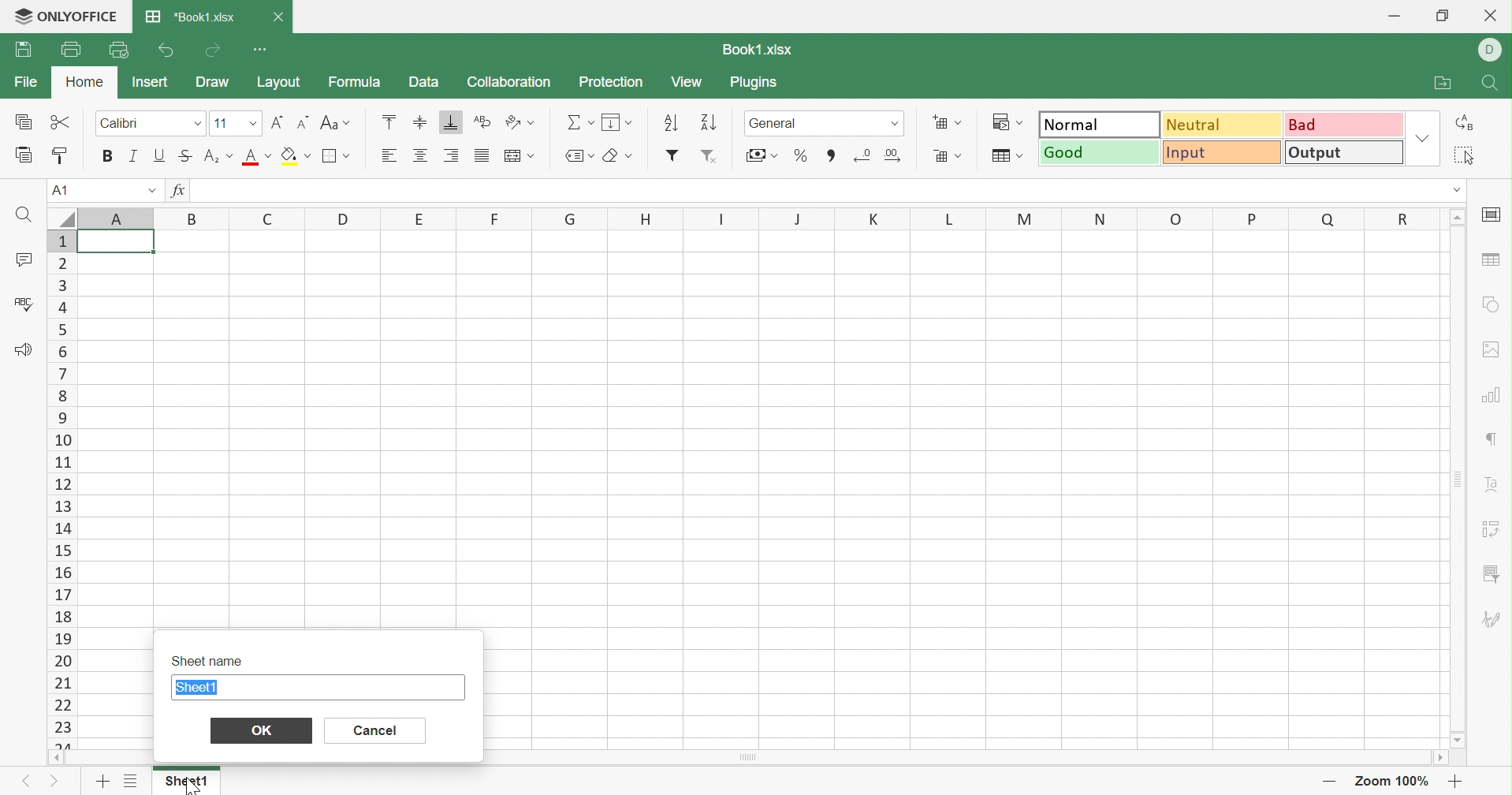 The height and width of the screenshot is (795, 1512). Describe the element at coordinates (1493, 14) in the screenshot. I see `Close` at that location.